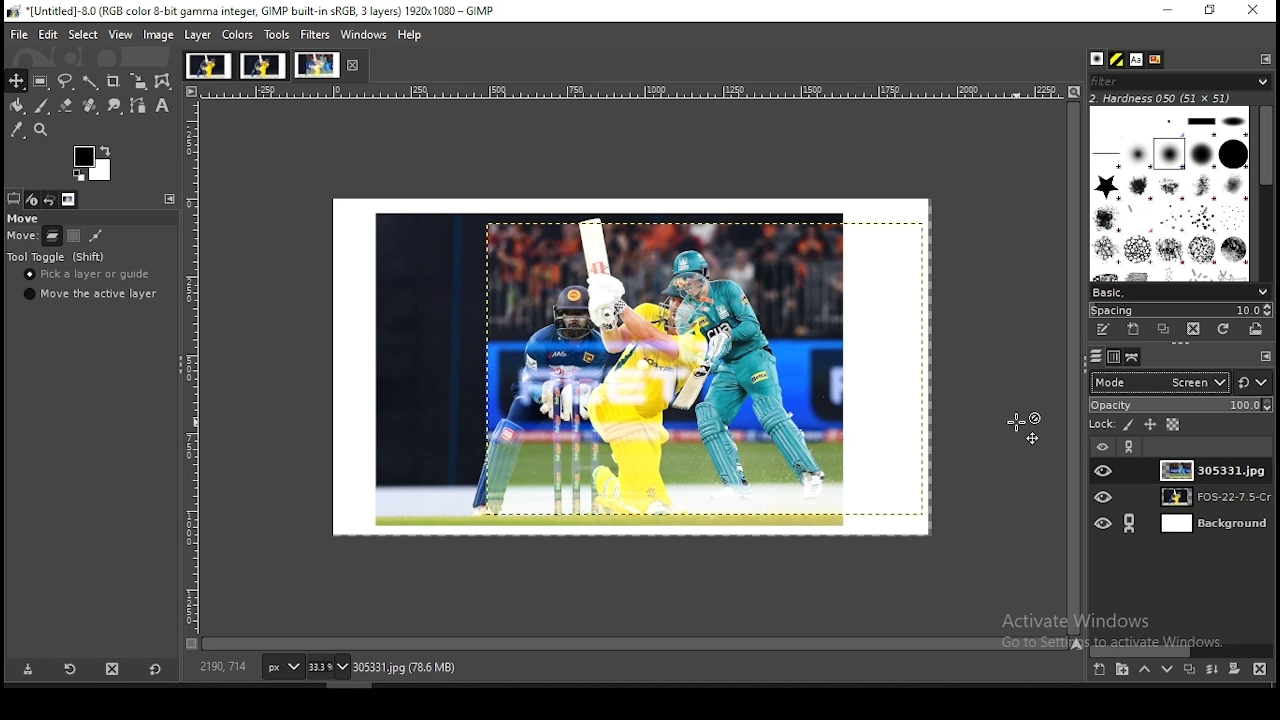 The width and height of the screenshot is (1280, 720). What do you see at coordinates (1097, 59) in the screenshot?
I see `brushes` at bounding box center [1097, 59].